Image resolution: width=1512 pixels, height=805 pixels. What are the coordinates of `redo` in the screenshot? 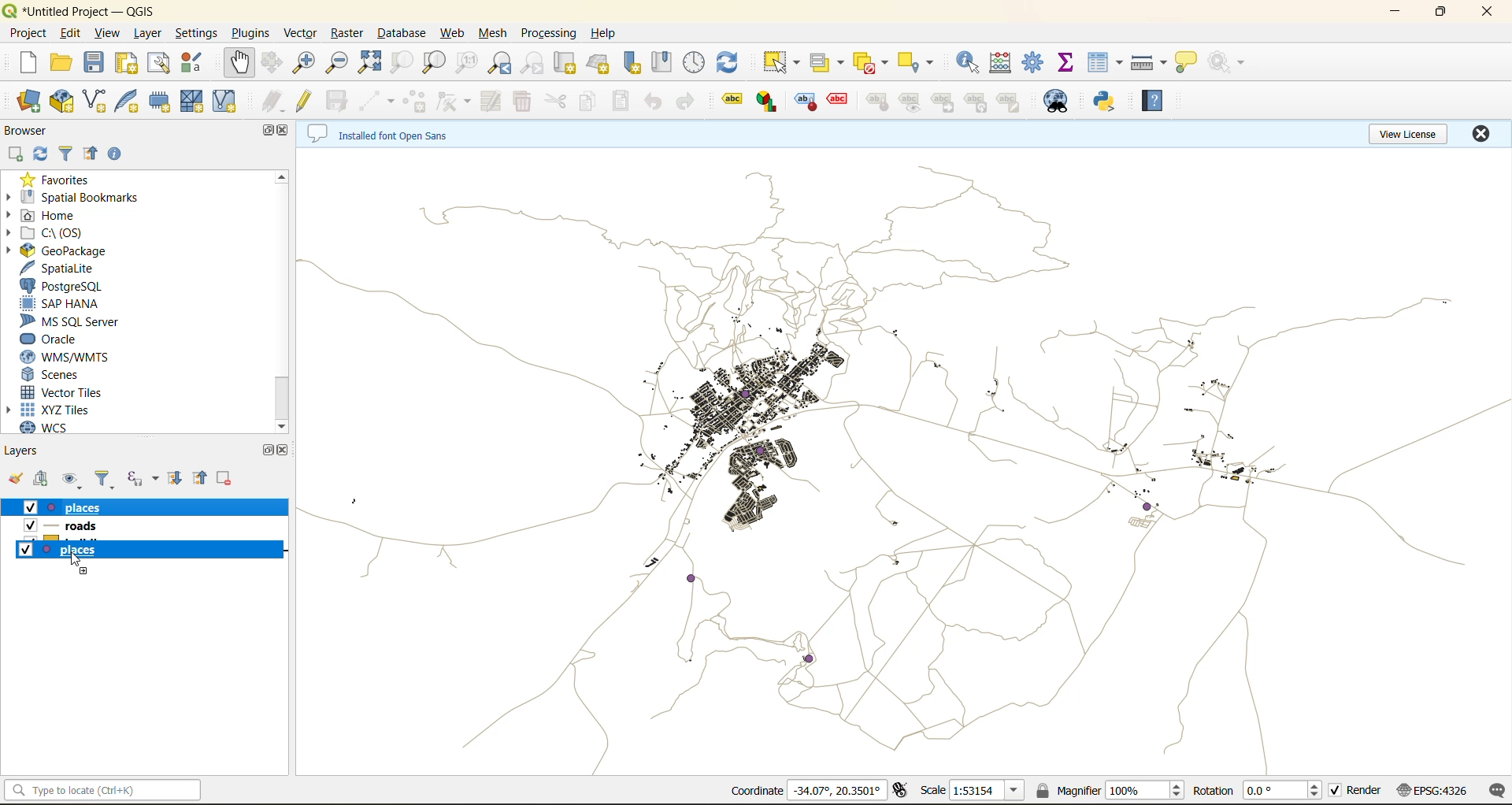 It's located at (689, 102).